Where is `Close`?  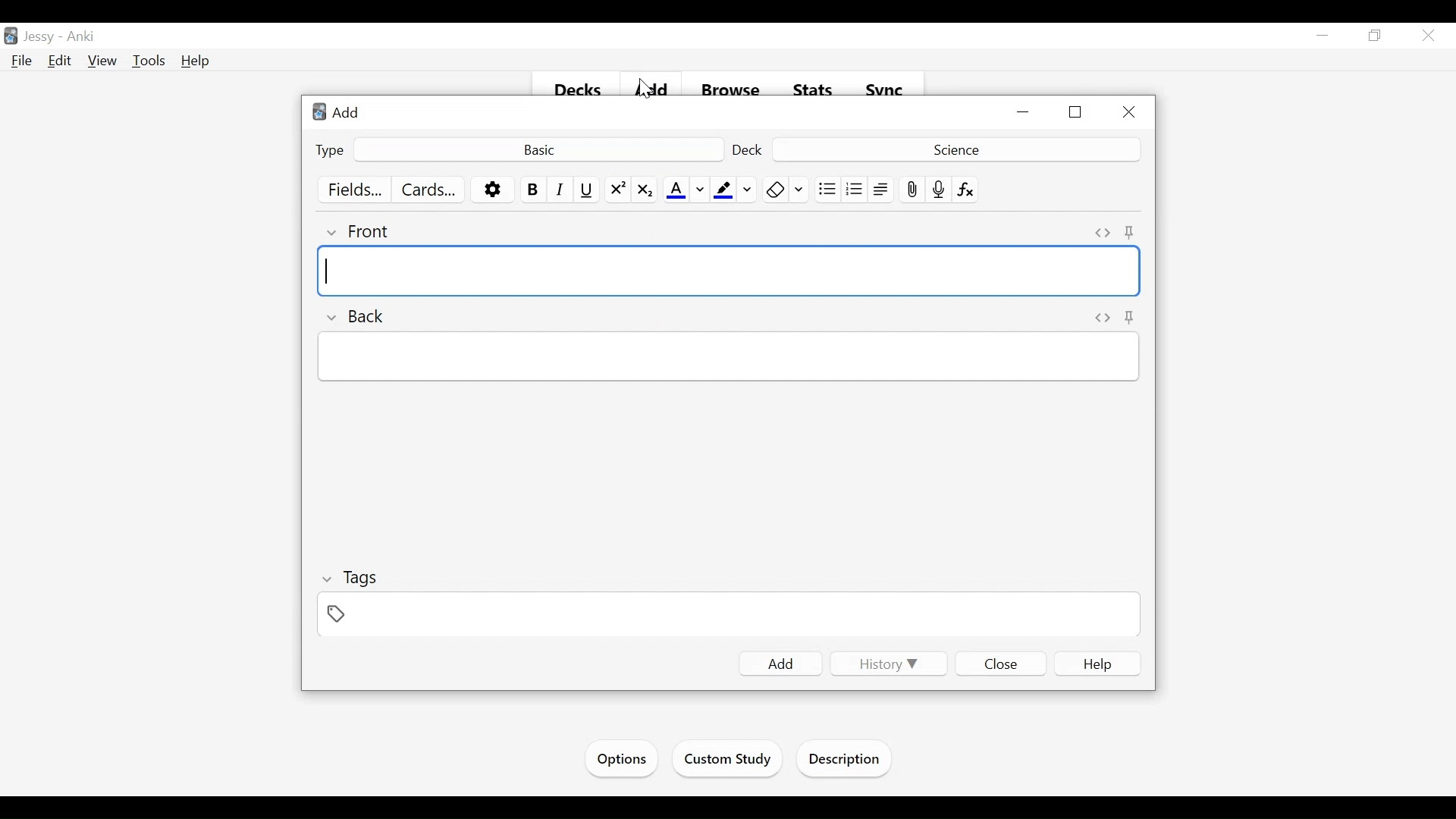
Close is located at coordinates (1128, 113).